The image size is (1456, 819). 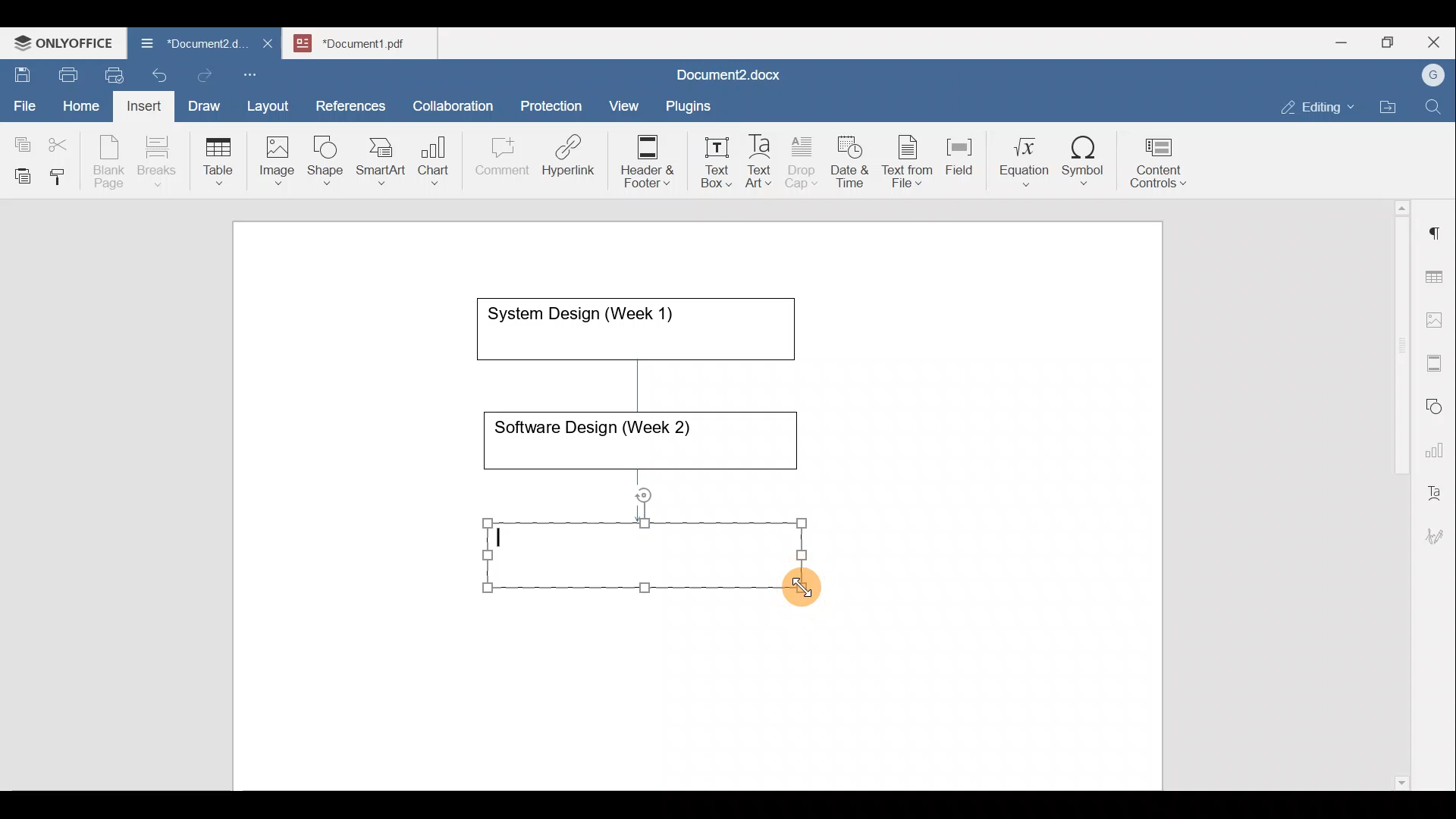 I want to click on Chart settings, so click(x=1438, y=444).